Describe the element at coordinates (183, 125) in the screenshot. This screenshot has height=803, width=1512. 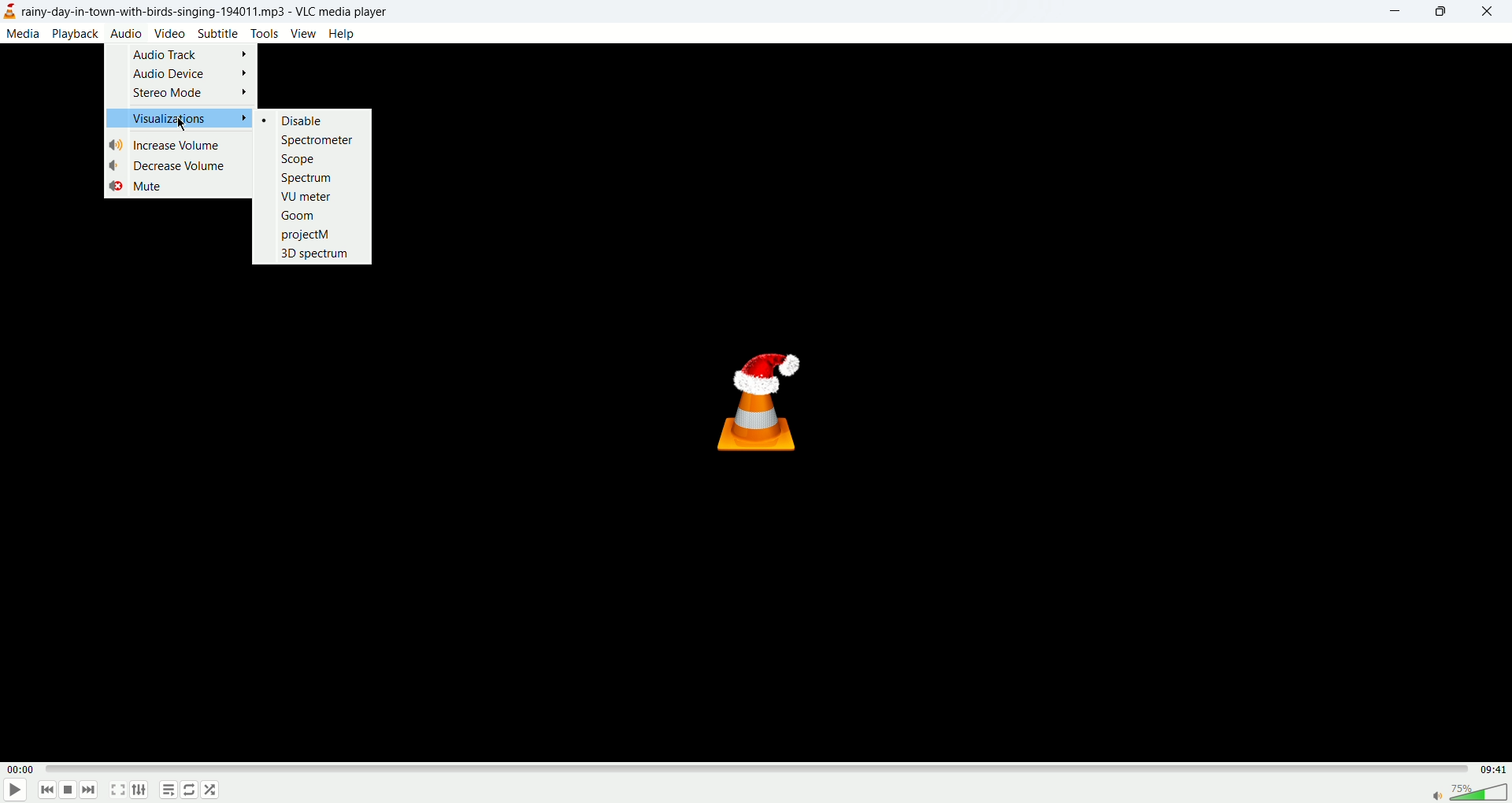
I see `mouse cursor` at that location.